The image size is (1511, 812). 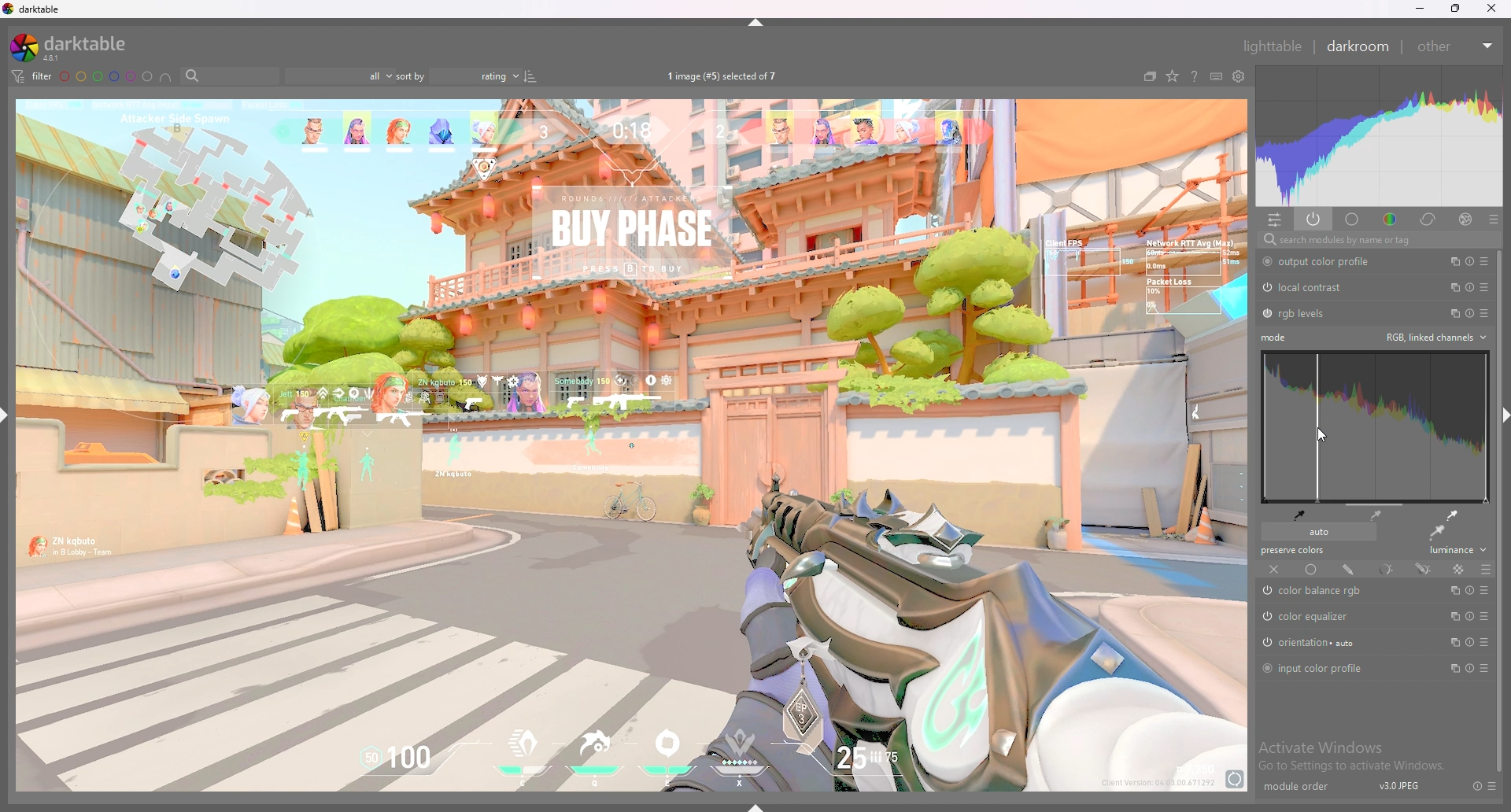 I want to click on version, so click(x=1400, y=788).